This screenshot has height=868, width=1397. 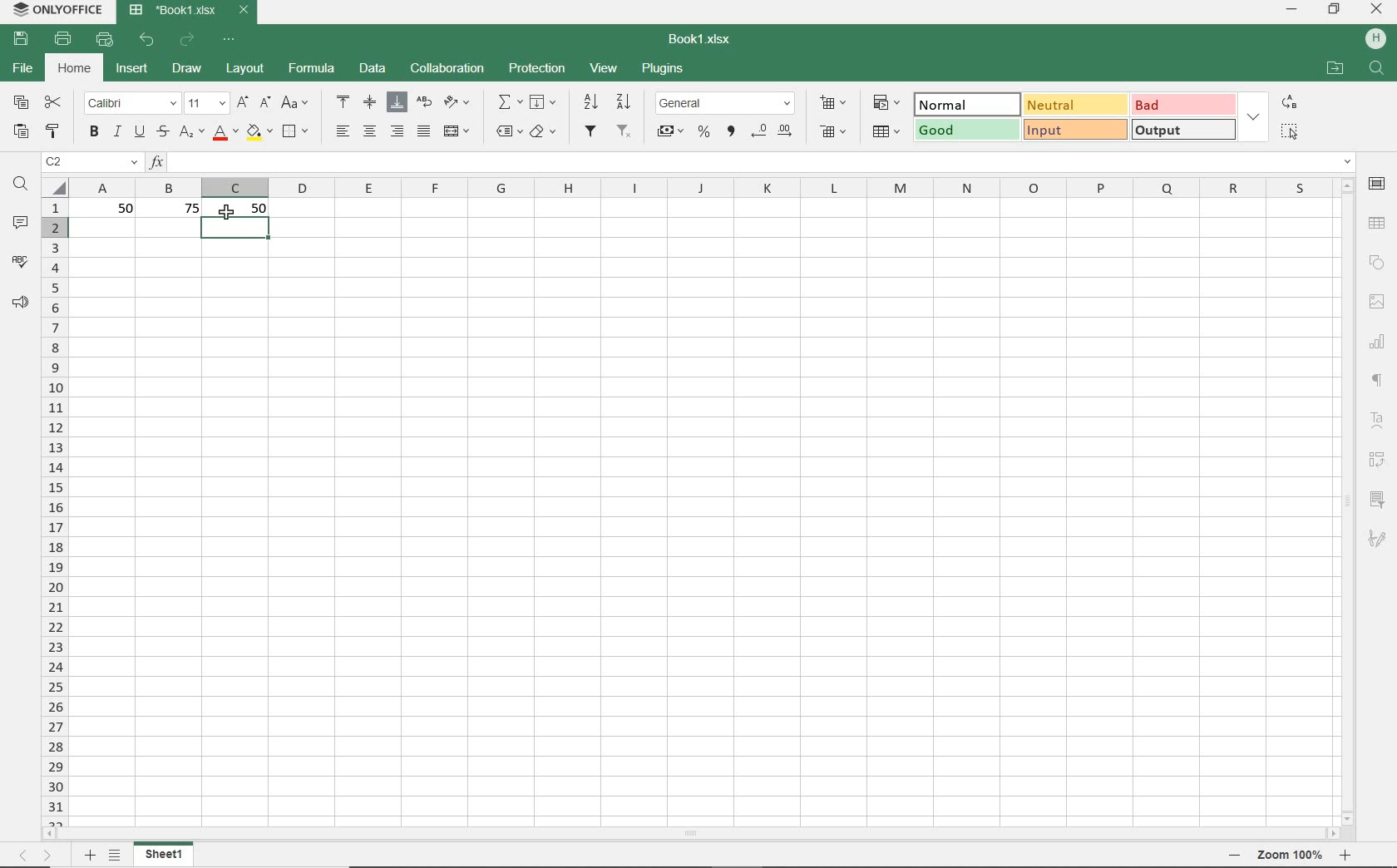 I want to click on table, so click(x=1378, y=224).